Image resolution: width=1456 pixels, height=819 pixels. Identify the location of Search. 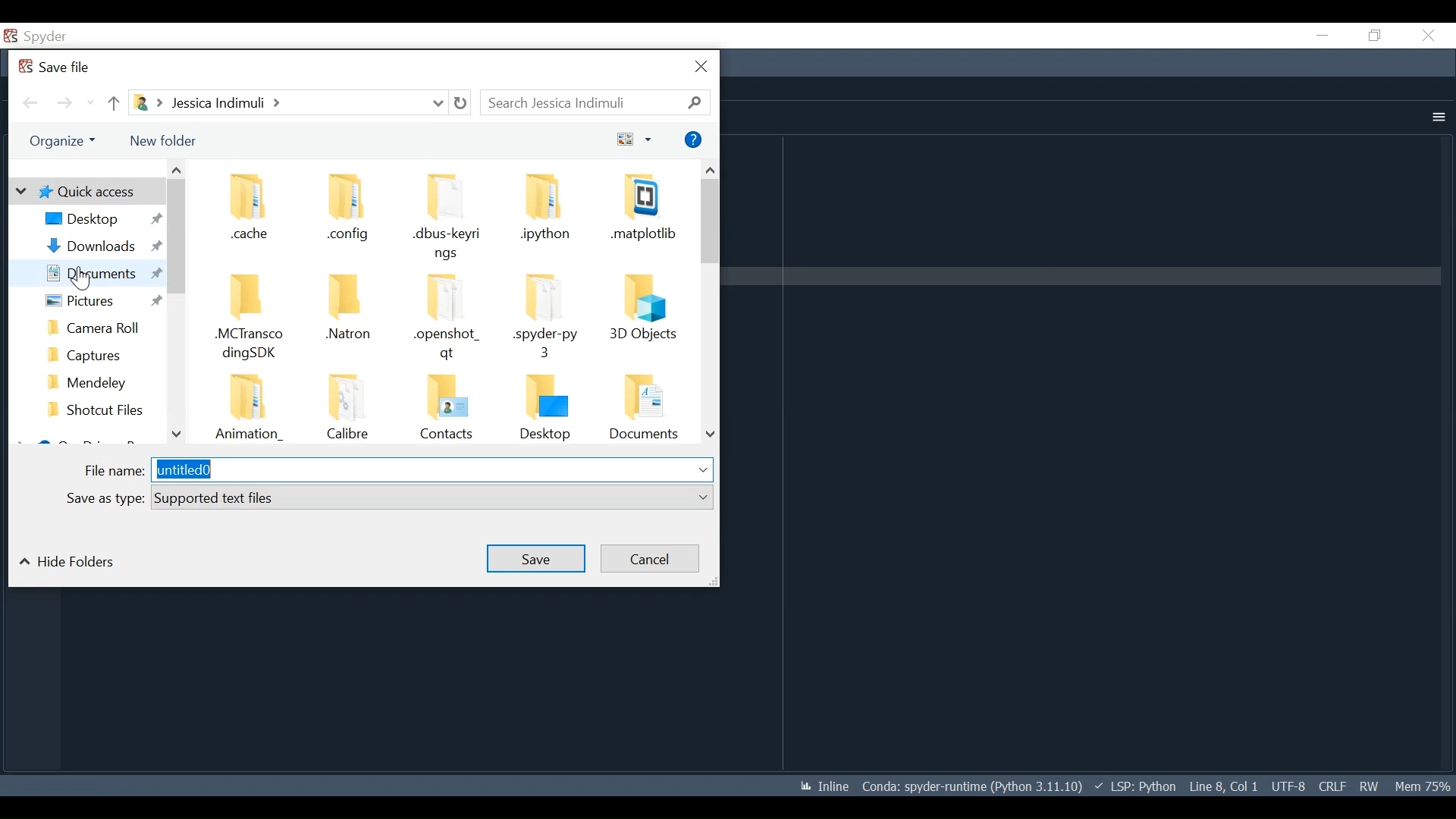
(595, 102).